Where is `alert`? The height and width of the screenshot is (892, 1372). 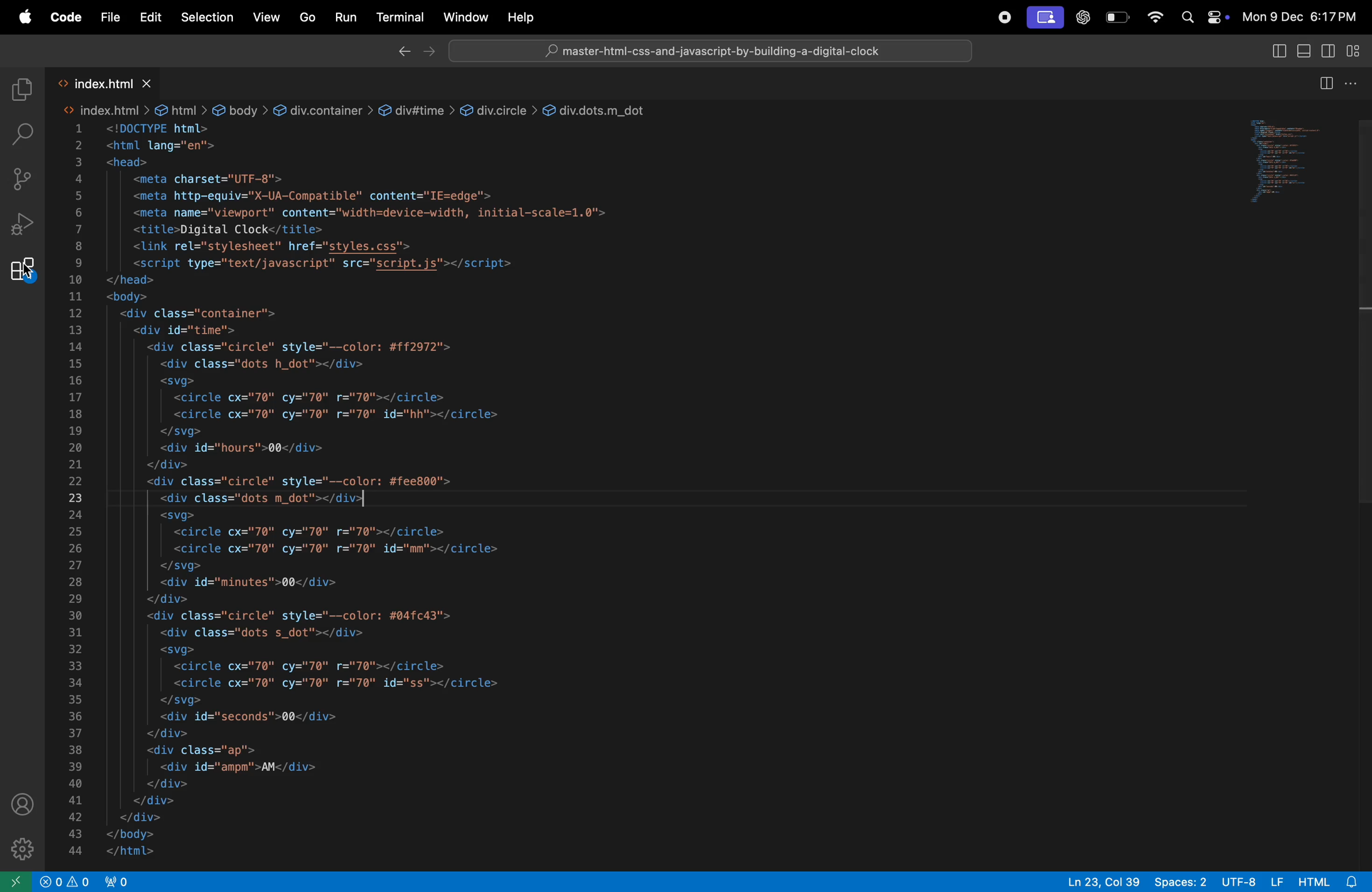 alert is located at coordinates (116, 880).